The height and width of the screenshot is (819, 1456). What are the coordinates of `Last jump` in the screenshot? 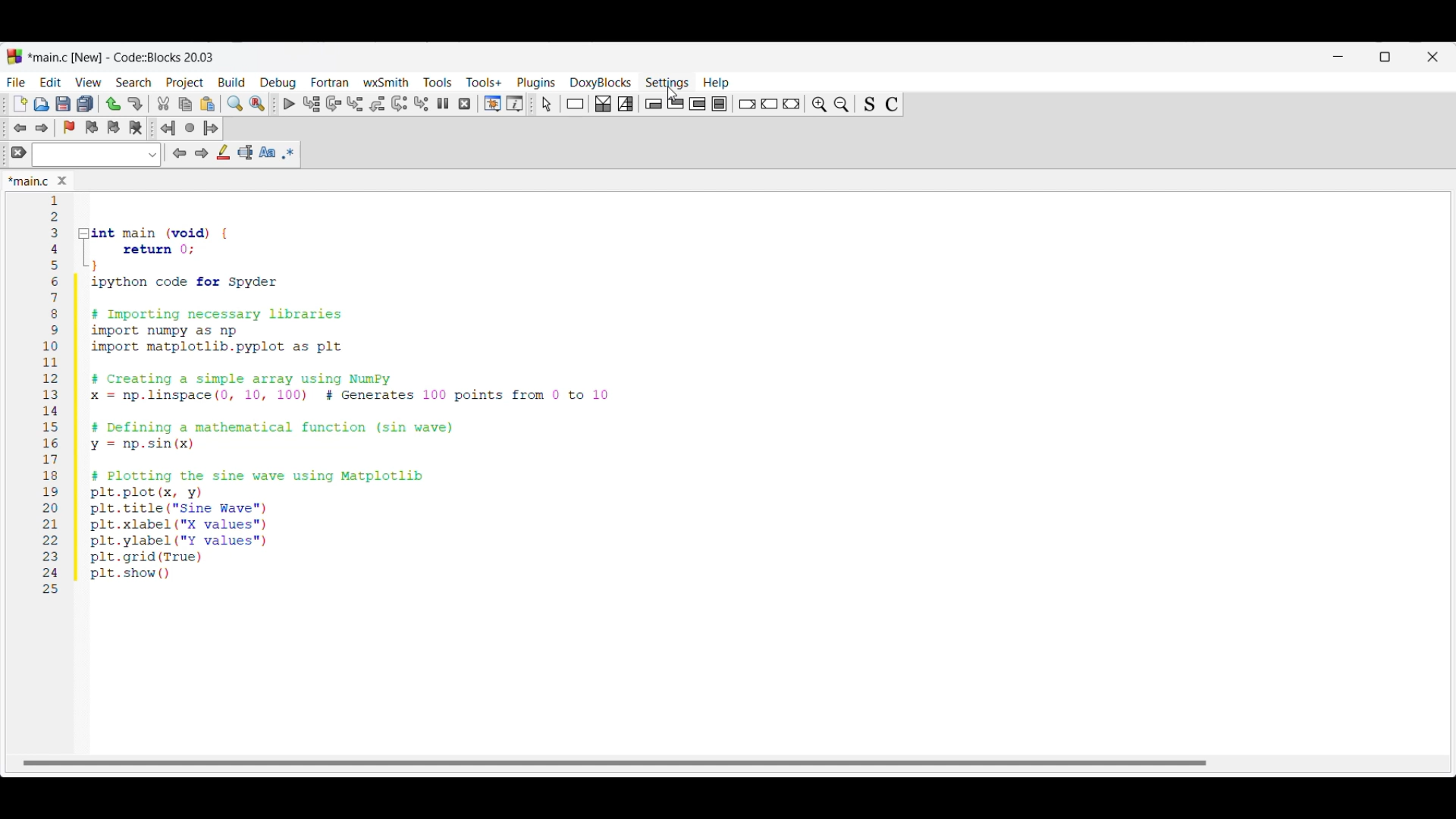 It's located at (190, 127).